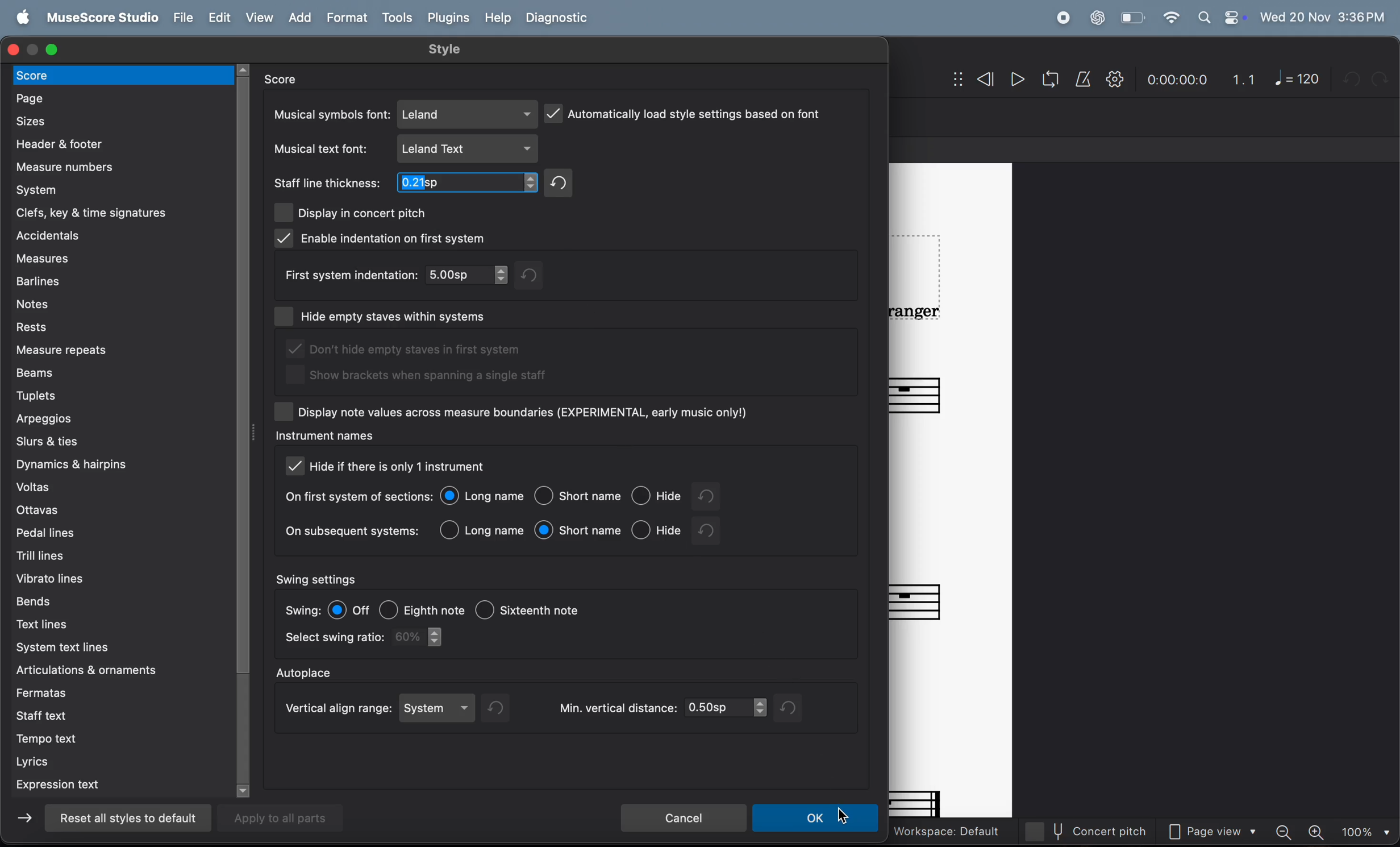 This screenshot has height=847, width=1400. I want to click on format, so click(349, 18).